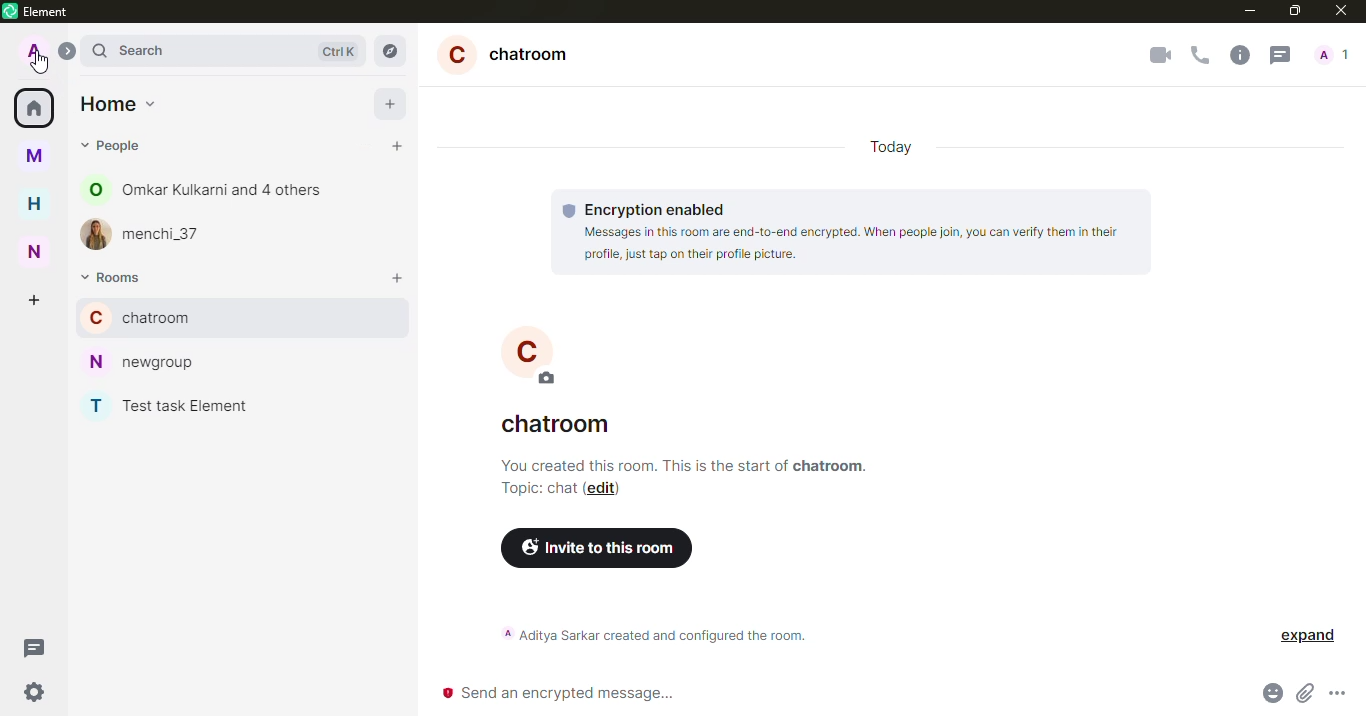 The image size is (1366, 716). I want to click on more, so click(1341, 694).